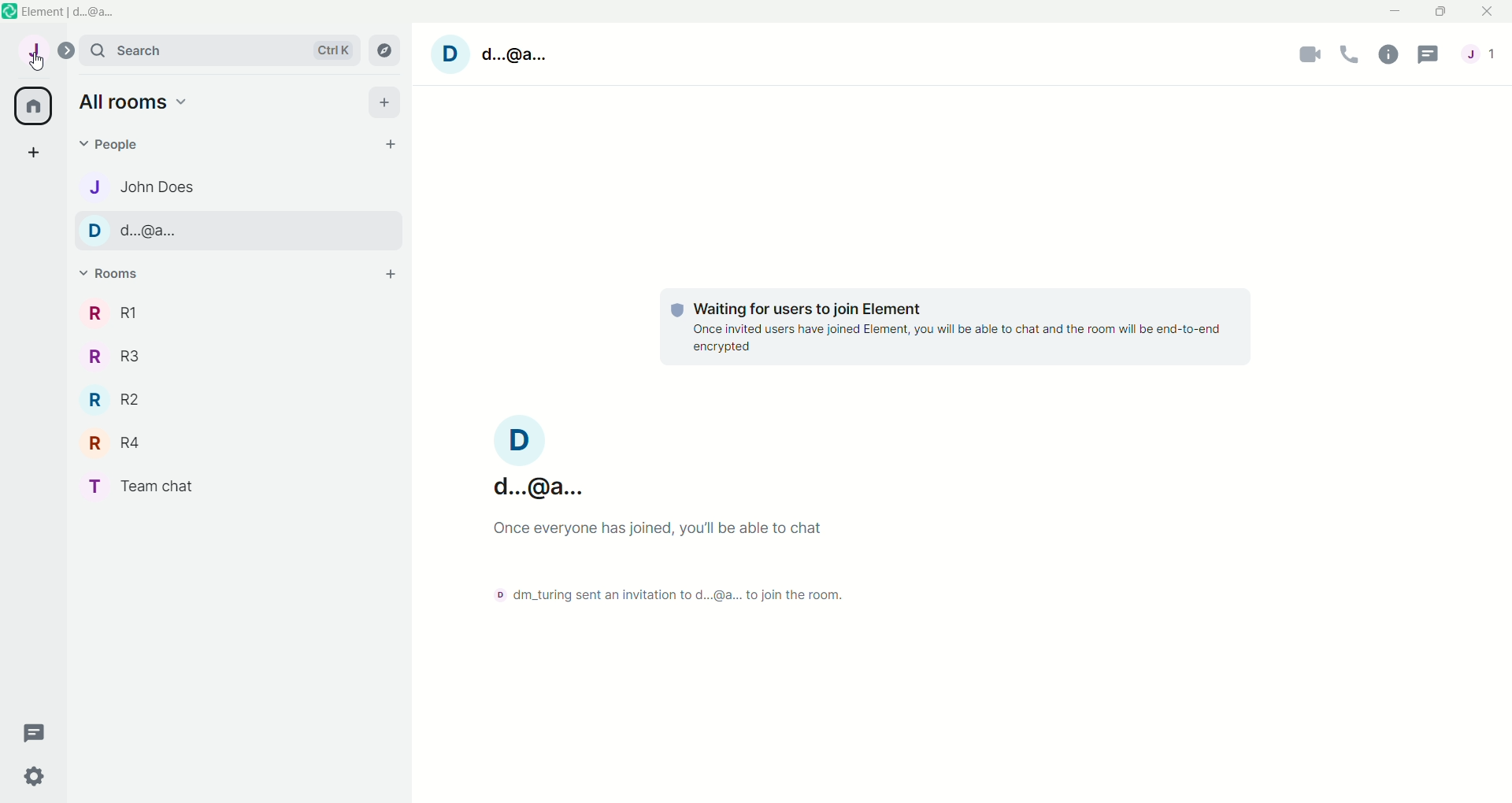  I want to click on D, so click(450, 54).